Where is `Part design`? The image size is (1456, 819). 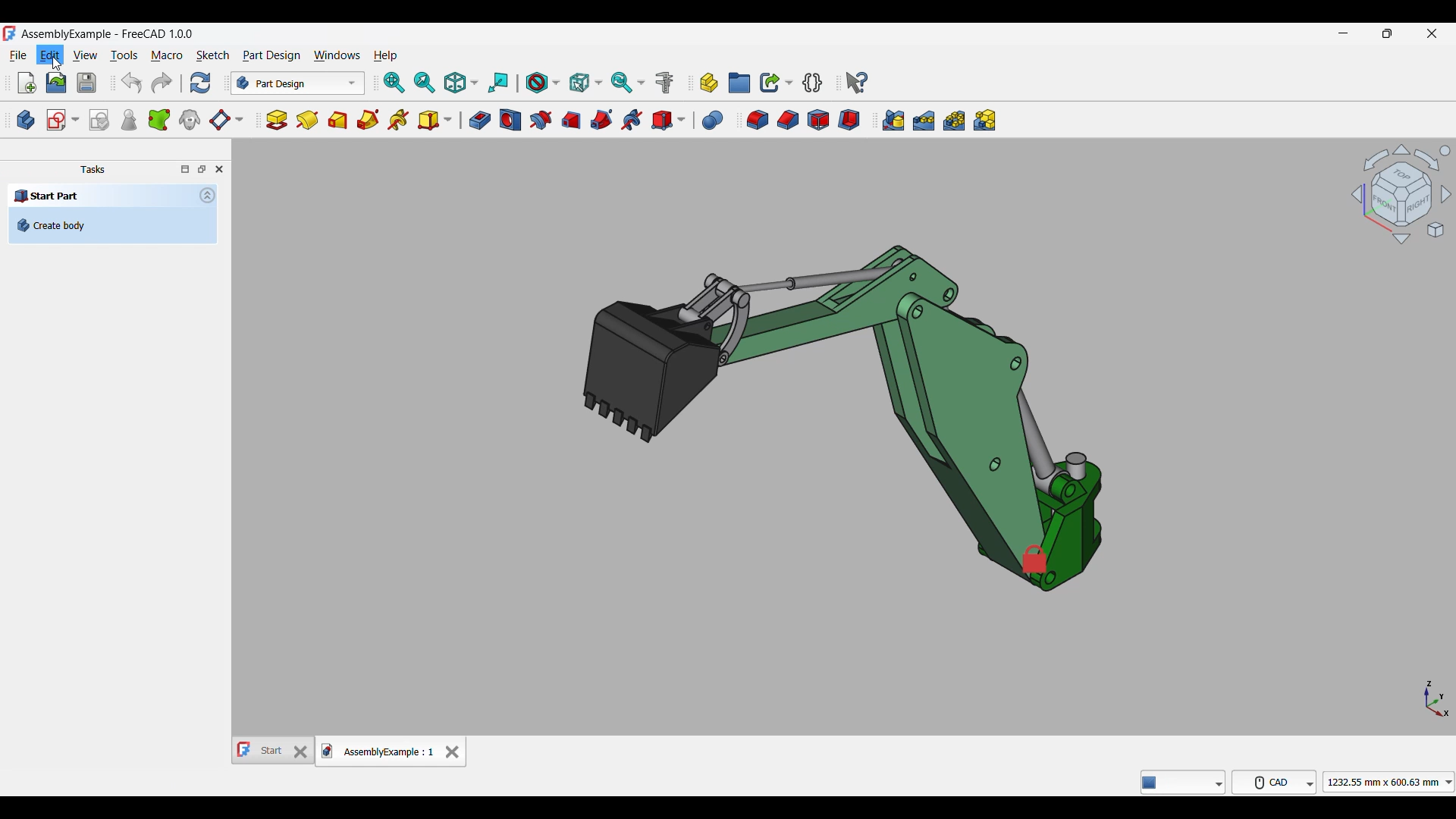
Part design is located at coordinates (271, 55).